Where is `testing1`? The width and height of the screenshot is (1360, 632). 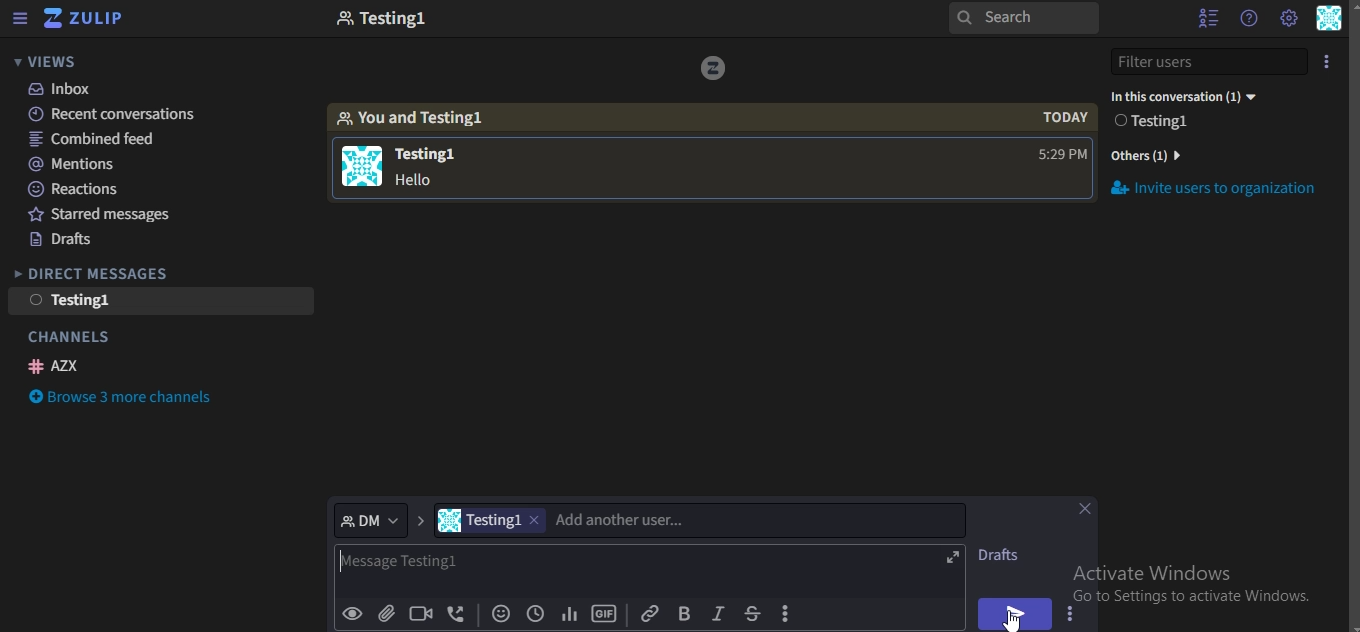 testing1 is located at coordinates (118, 303).